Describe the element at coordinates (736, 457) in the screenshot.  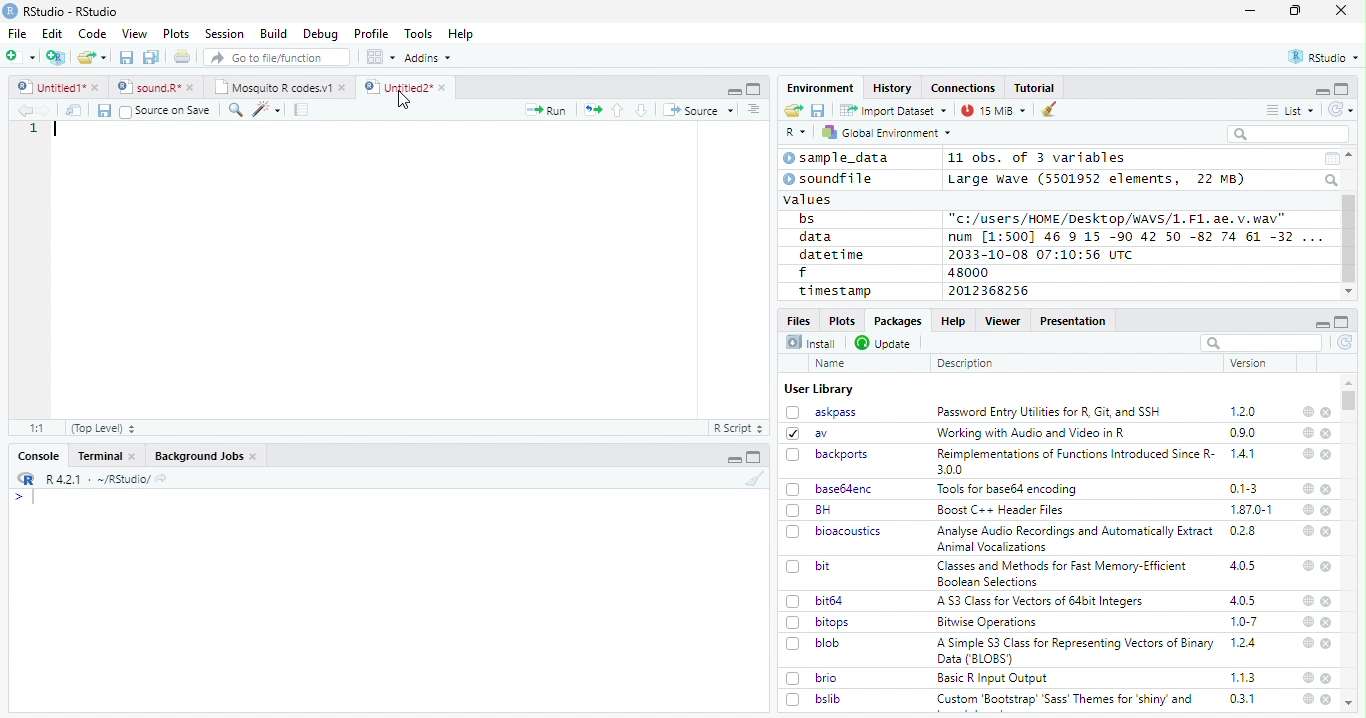
I see `minimize` at that location.